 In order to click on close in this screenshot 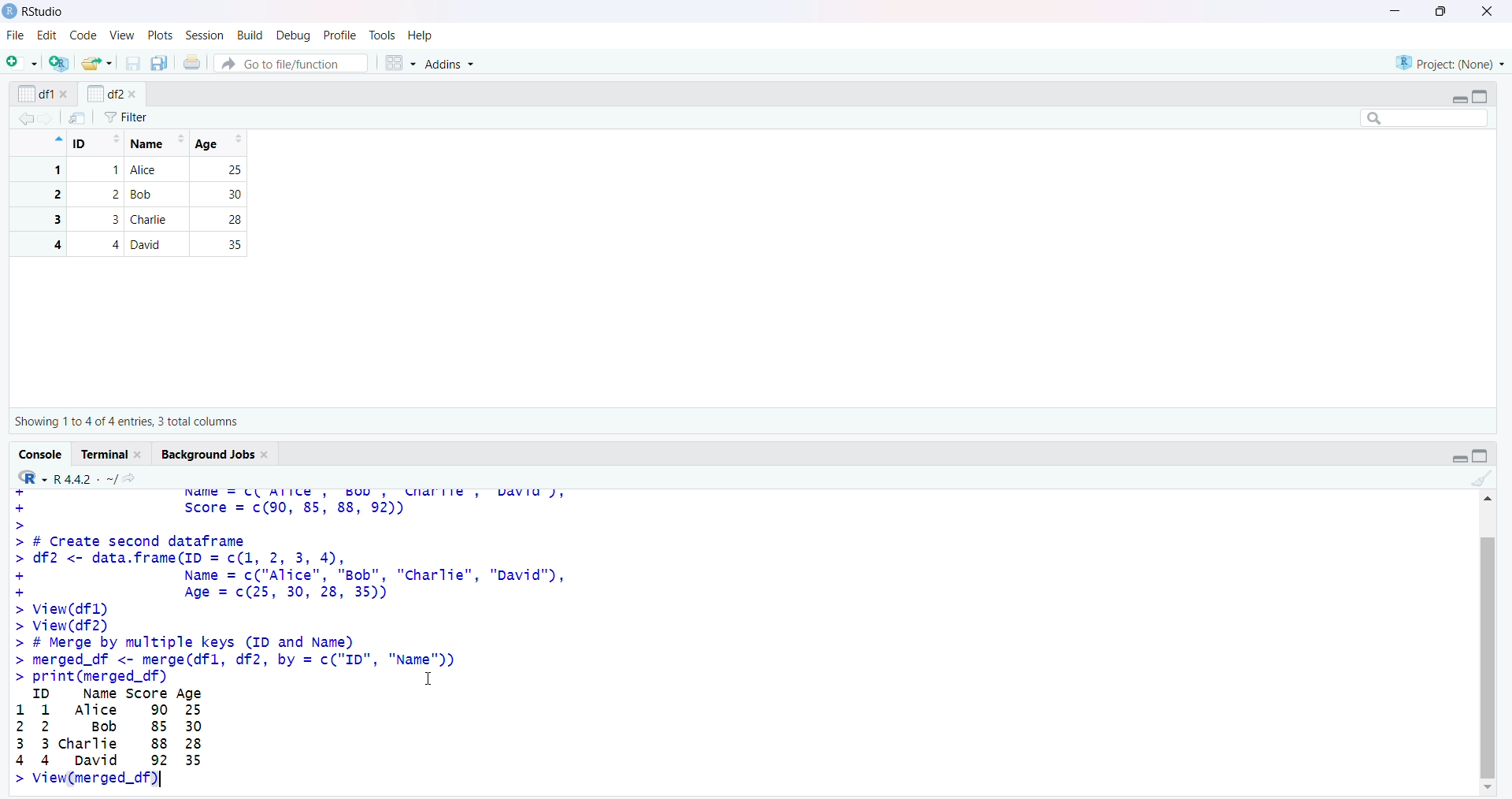, I will do `click(65, 94)`.